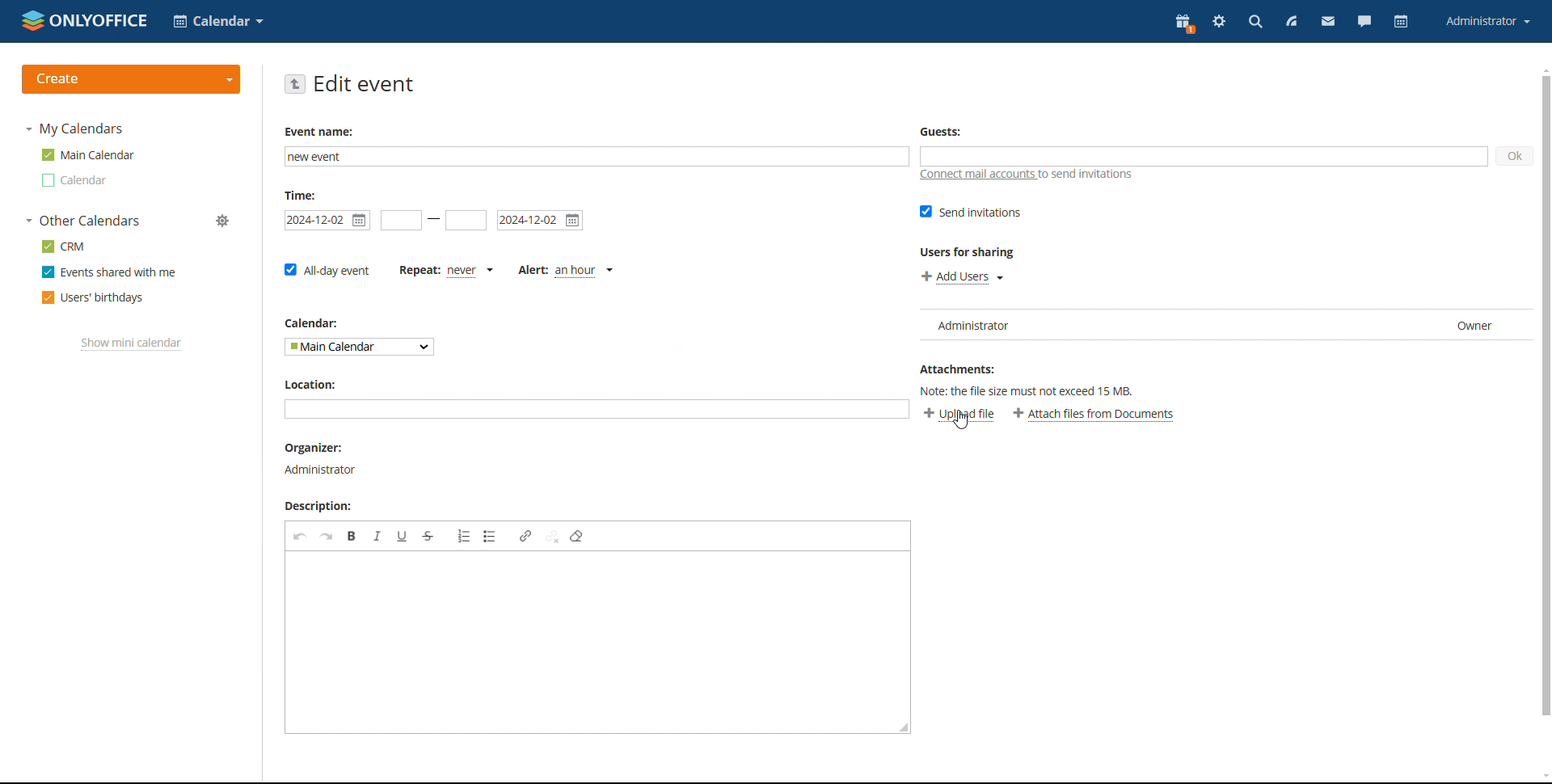 The image size is (1552, 784). Describe the element at coordinates (91, 298) in the screenshot. I see `users' birthdays` at that location.